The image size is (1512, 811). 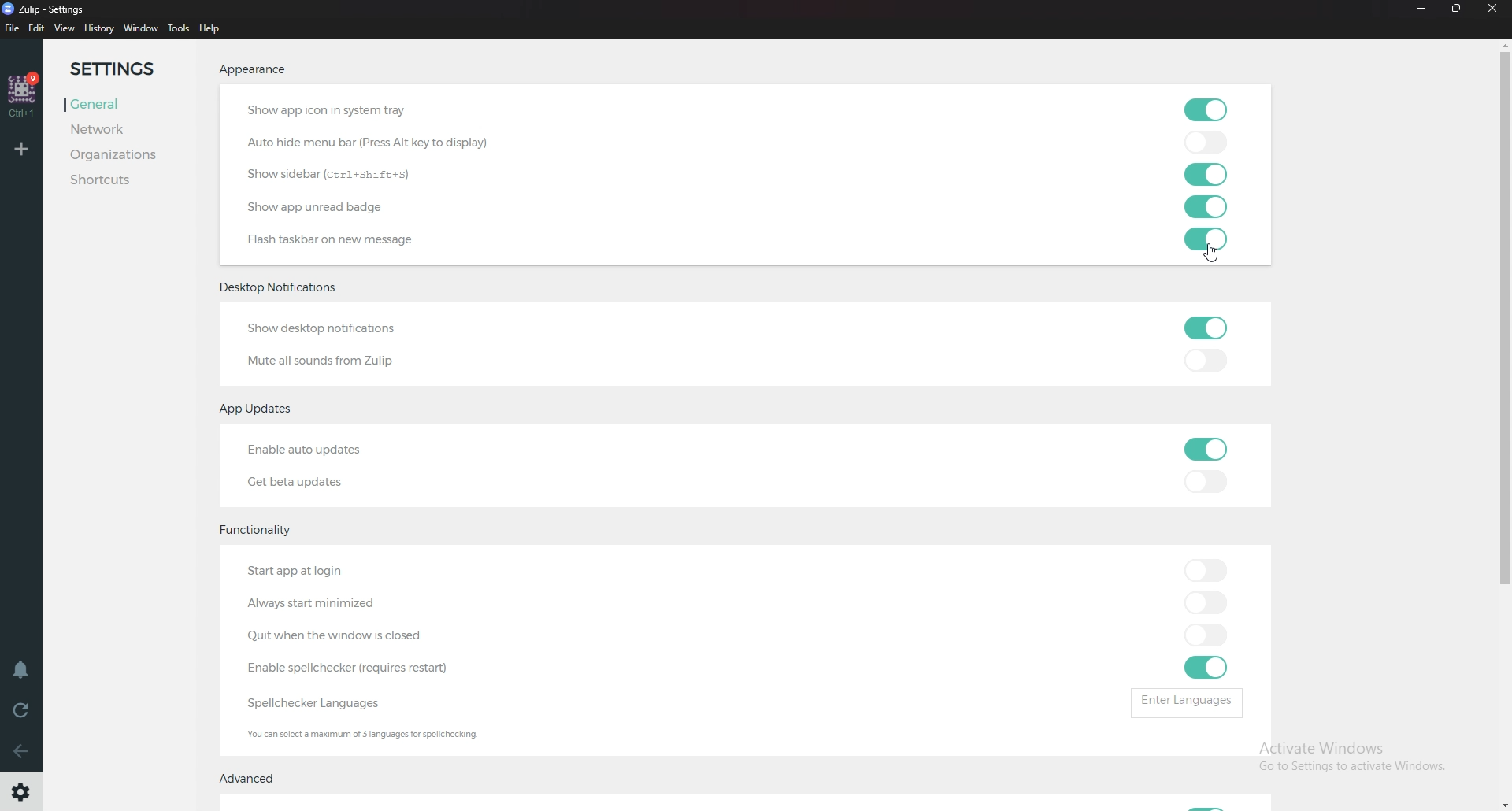 I want to click on Reload, so click(x=22, y=710).